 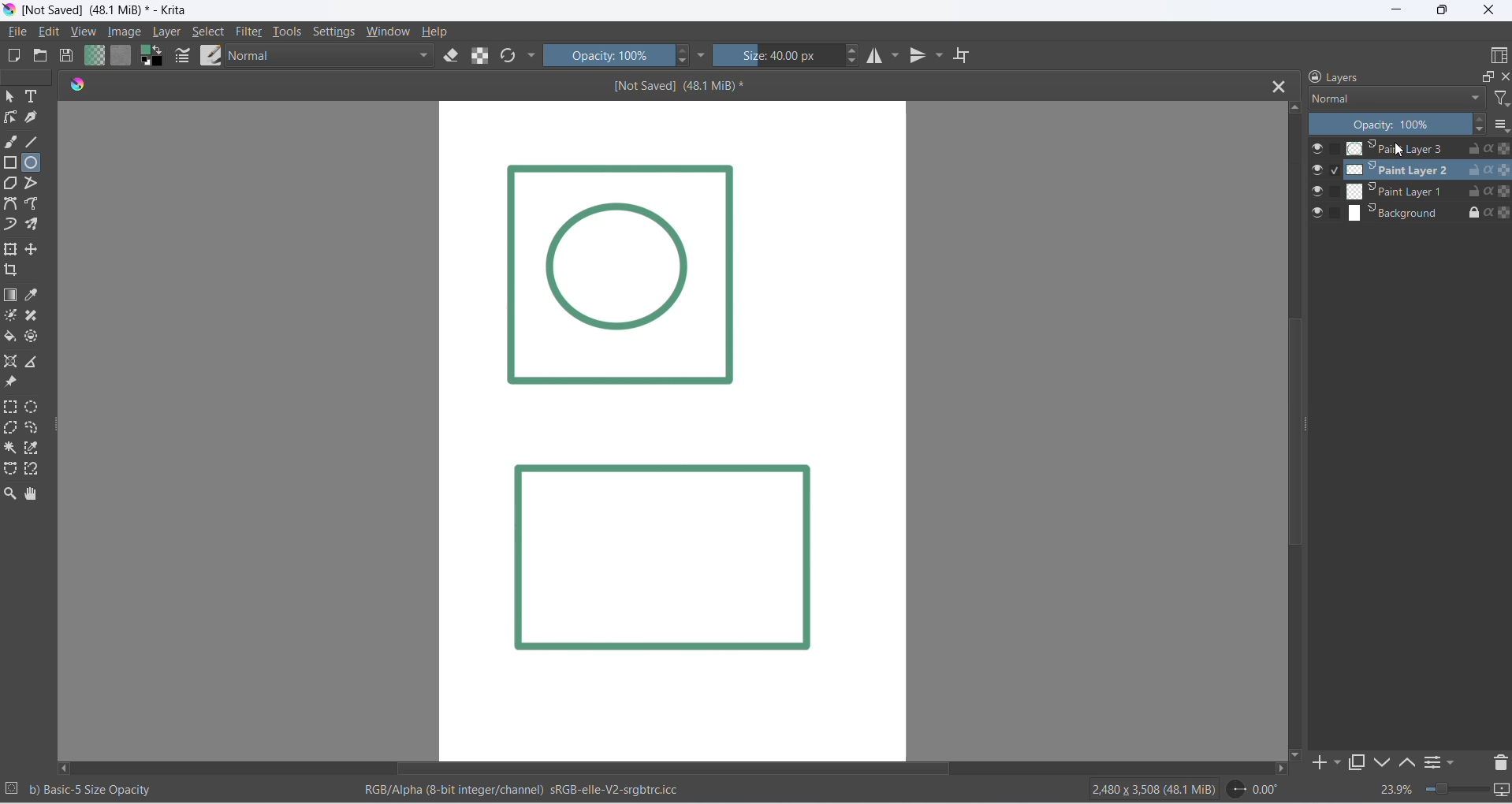 What do you see at coordinates (1252, 791) in the screenshot?
I see `0.00` at bounding box center [1252, 791].